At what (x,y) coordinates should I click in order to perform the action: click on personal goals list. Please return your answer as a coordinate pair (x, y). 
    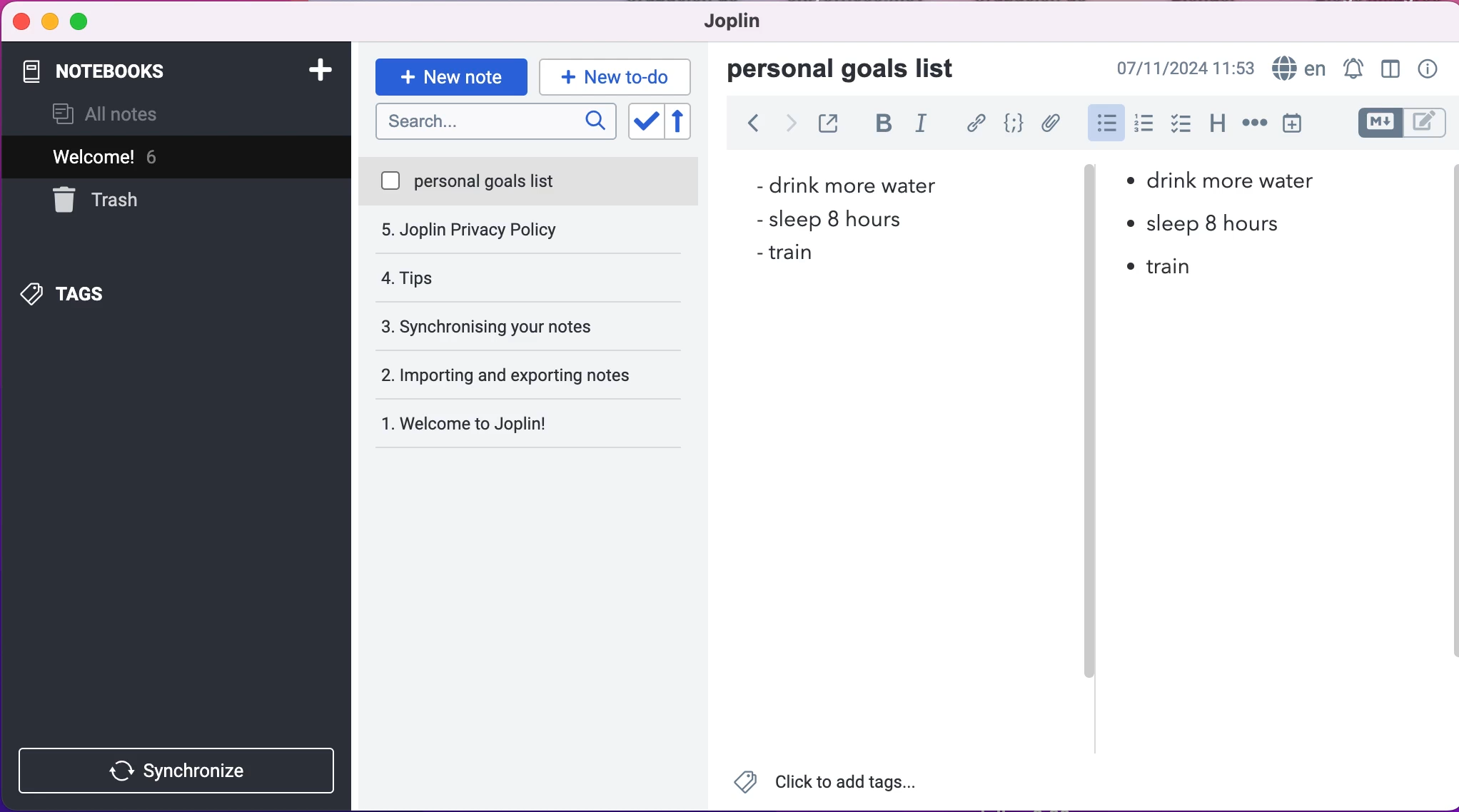
    Looking at the image, I should click on (530, 182).